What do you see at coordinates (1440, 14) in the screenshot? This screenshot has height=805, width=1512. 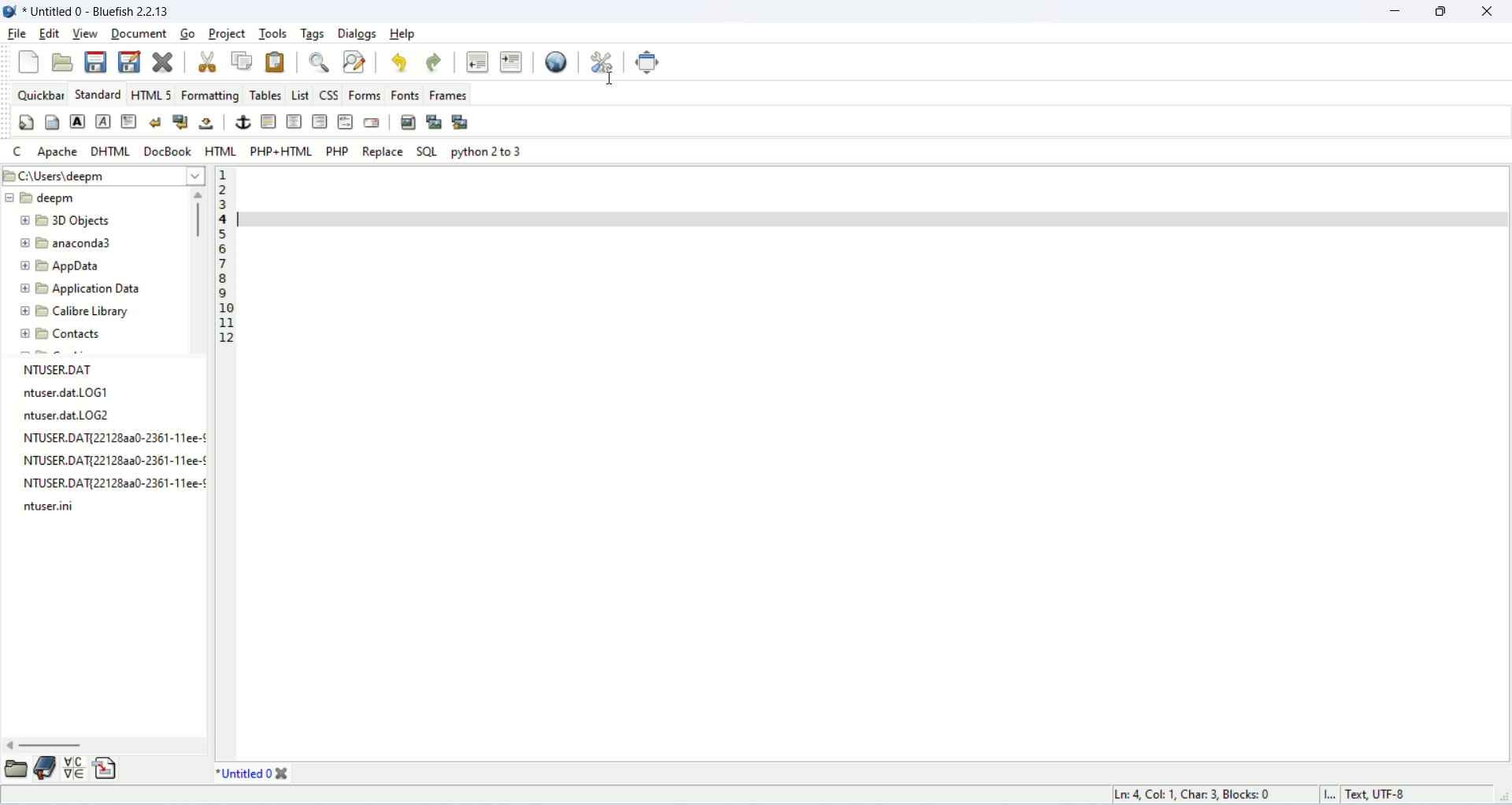 I see `maximize` at bounding box center [1440, 14].